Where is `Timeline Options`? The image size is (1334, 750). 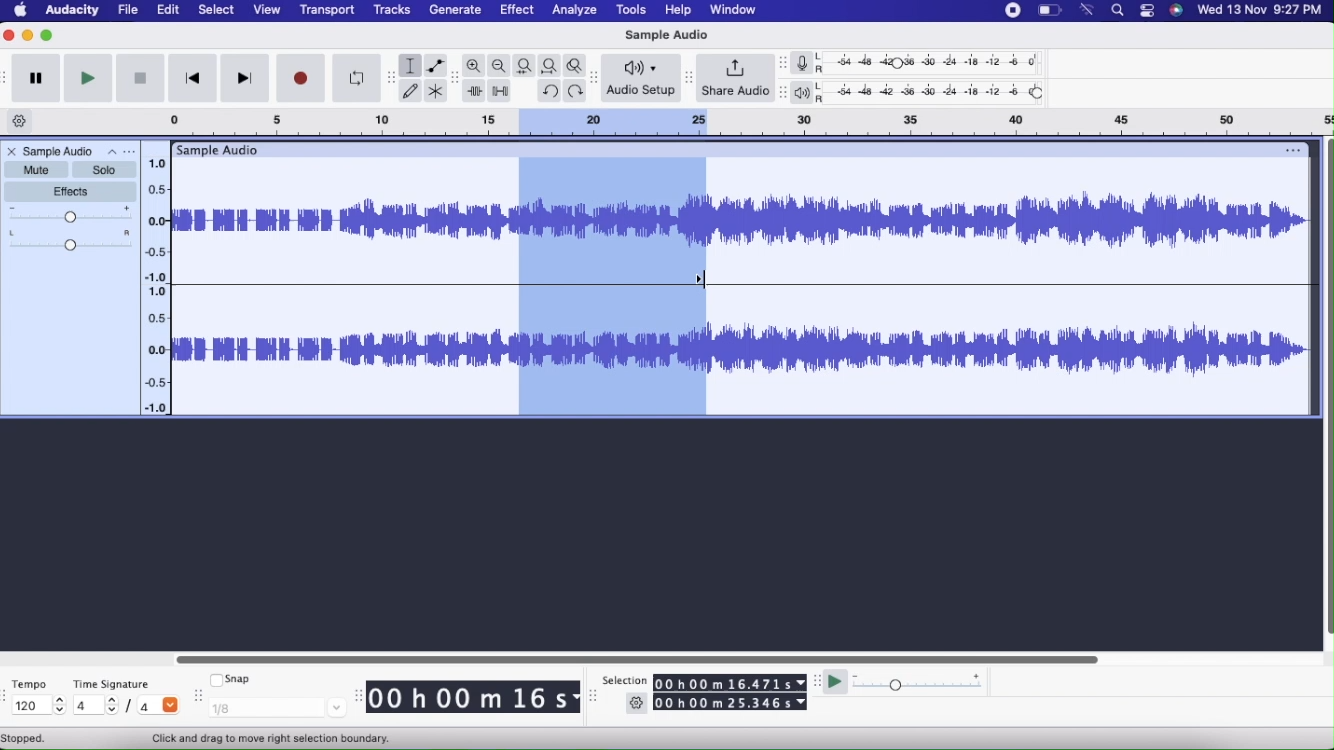
Timeline Options is located at coordinates (21, 122).